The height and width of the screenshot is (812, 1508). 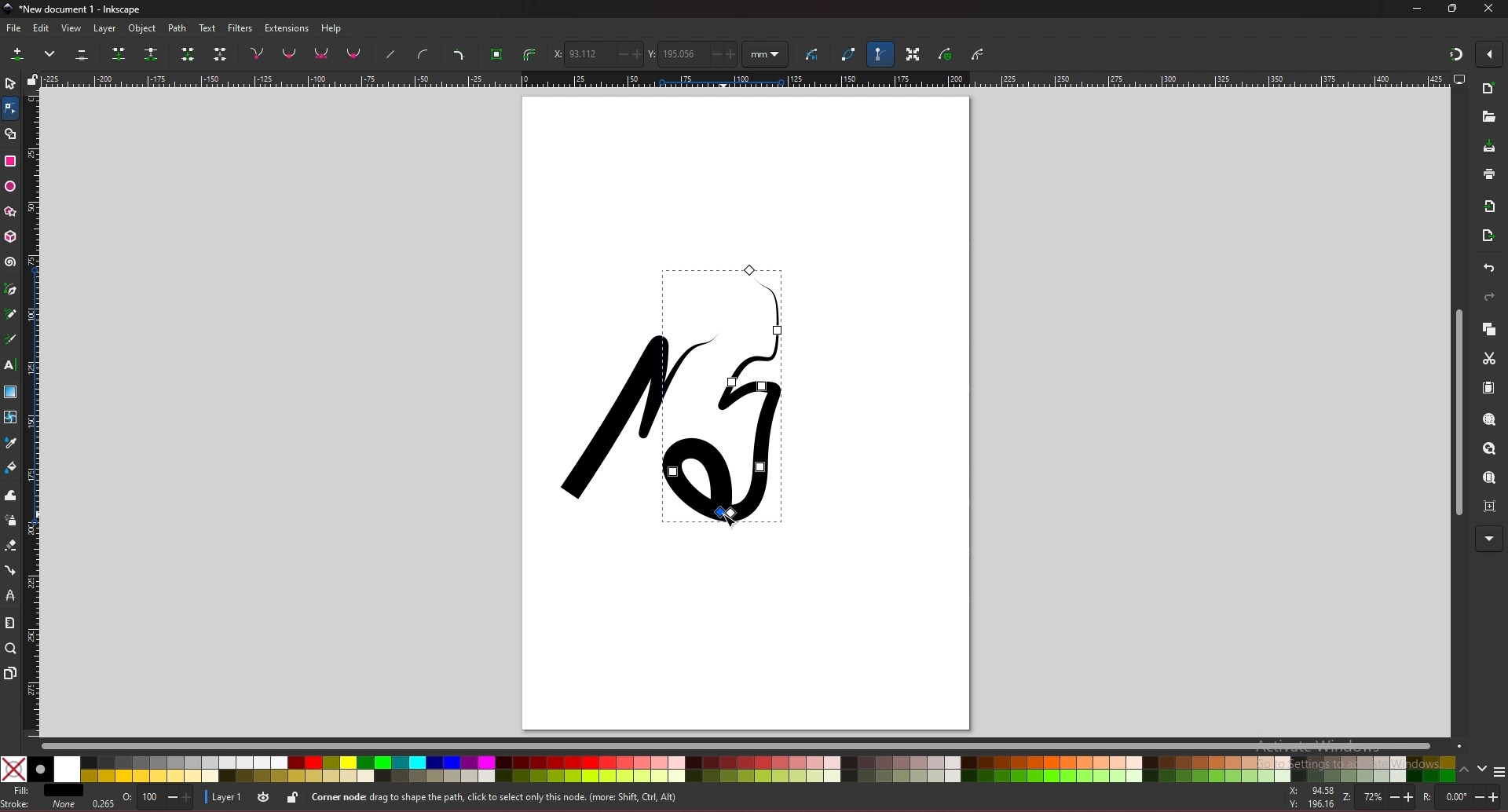 What do you see at coordinates (739, 521) in the screenshot?
I see `cursor` at bounding box center [739, 521].